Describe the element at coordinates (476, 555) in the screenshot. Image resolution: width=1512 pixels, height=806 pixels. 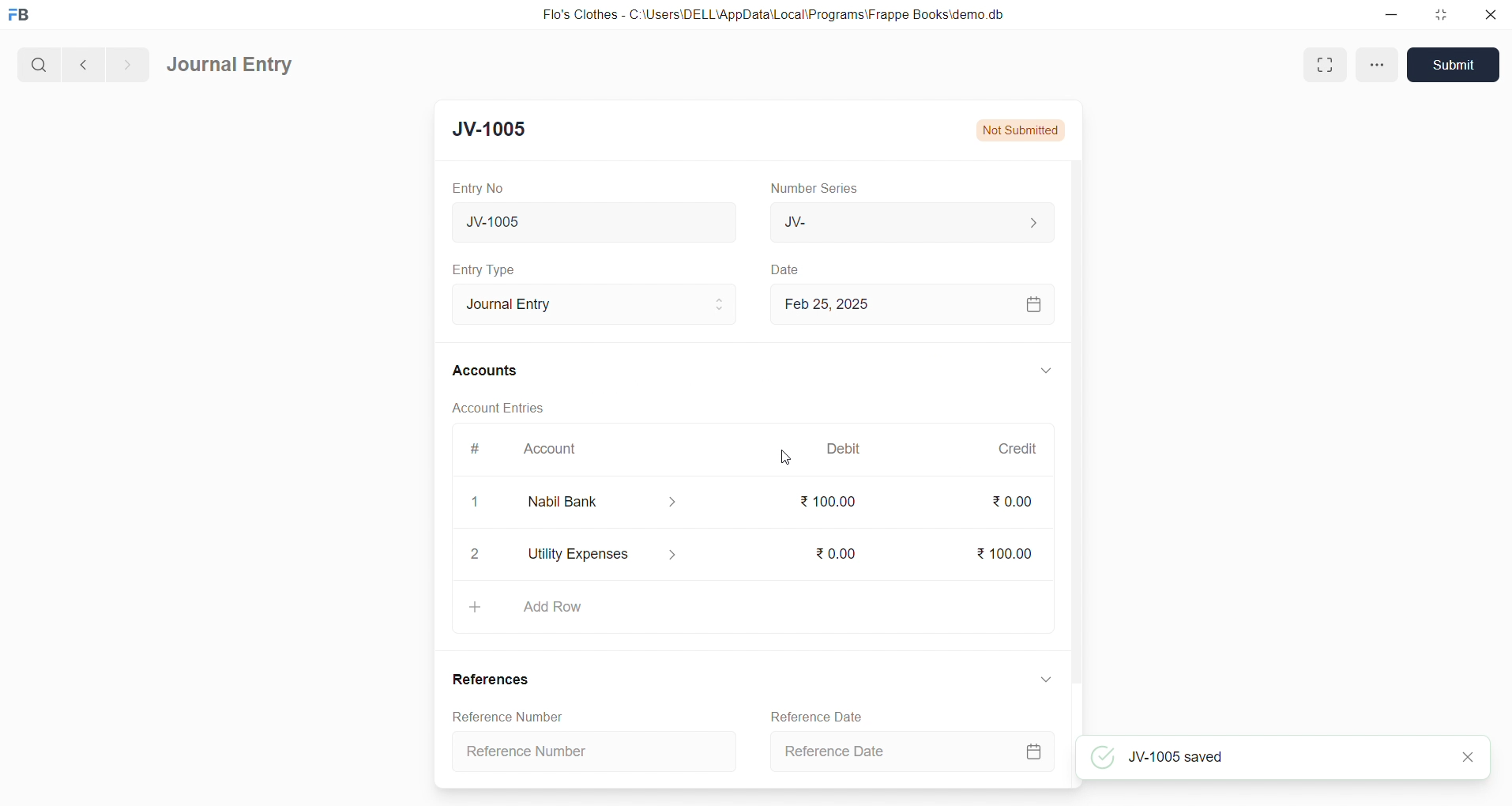
I see `2` at that location.